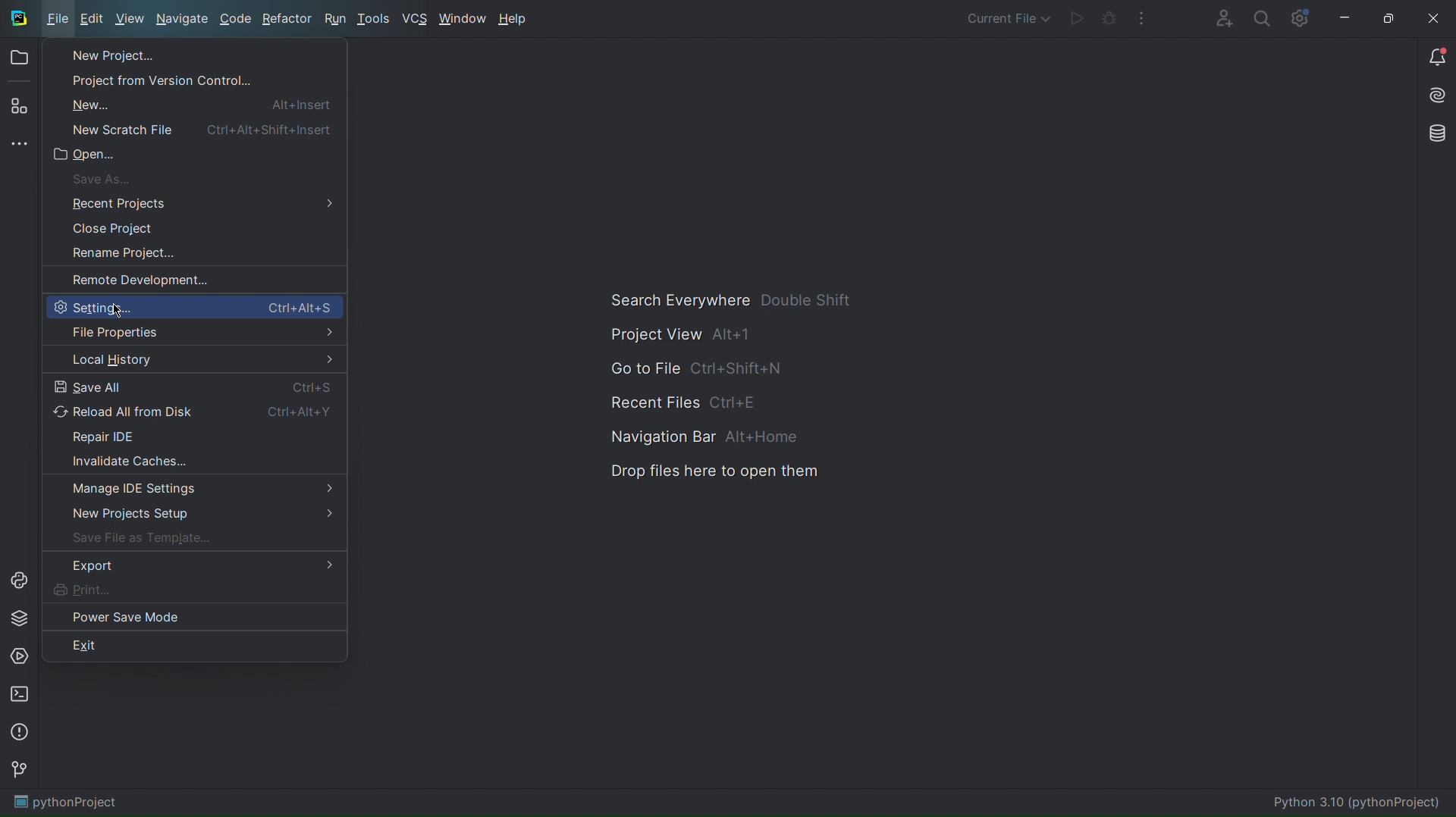  I want to click on Databases, so click(1432, 136).